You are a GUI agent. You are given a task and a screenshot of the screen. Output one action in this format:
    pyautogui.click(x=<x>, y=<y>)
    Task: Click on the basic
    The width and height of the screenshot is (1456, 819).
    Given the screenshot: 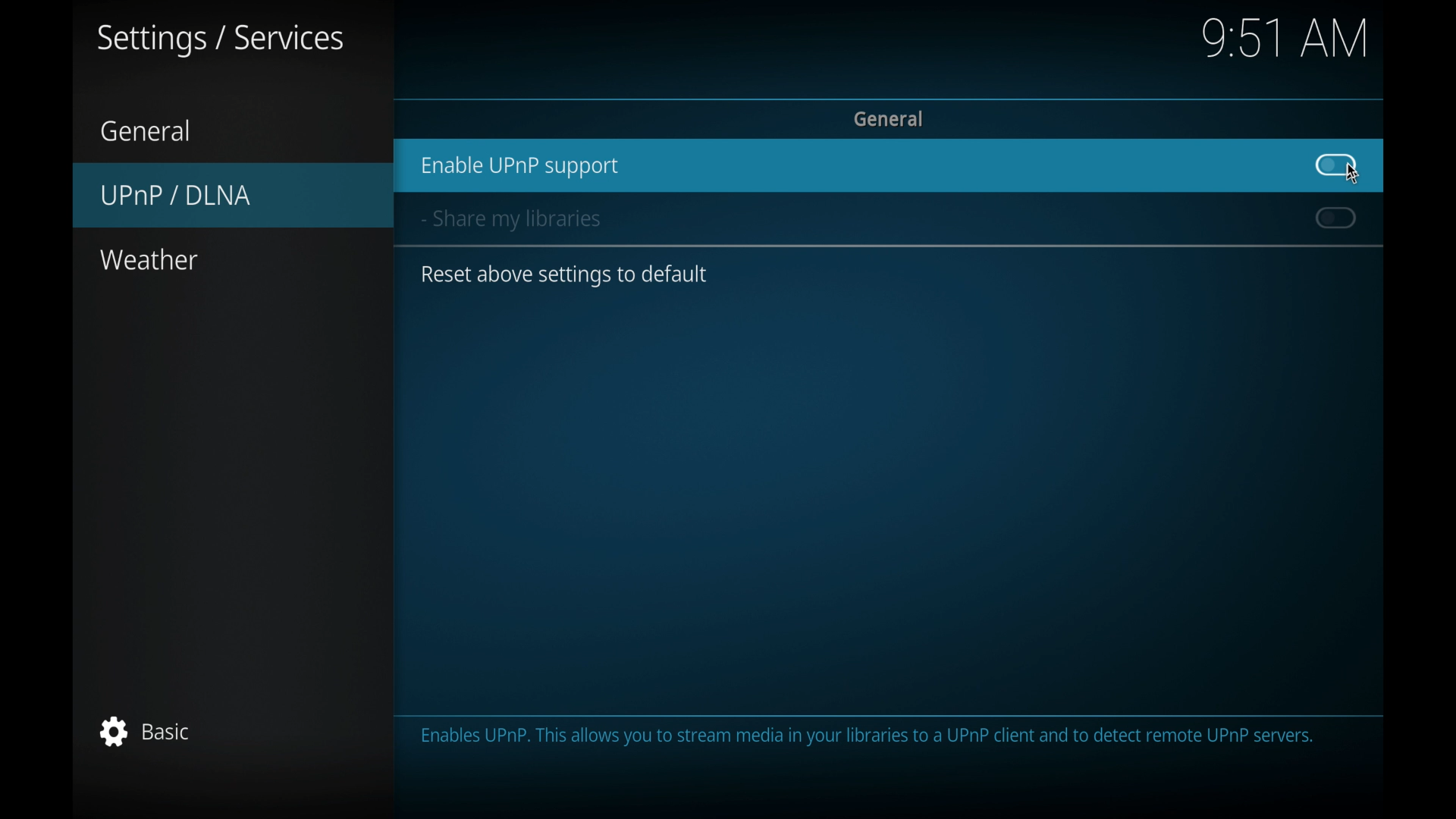 What is the action you would take?
    pyautogui.click(x=141, y=731)
    